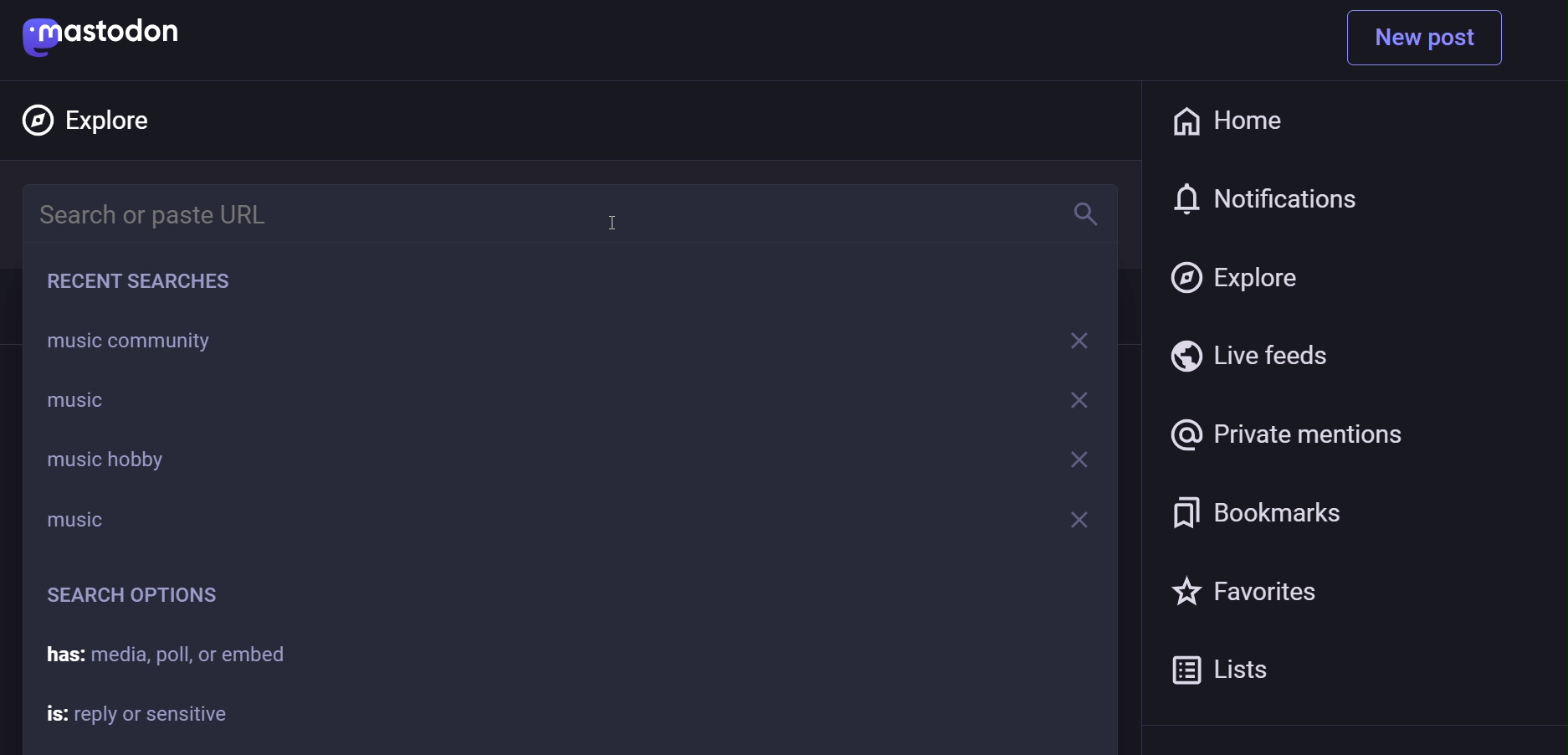 The image size is (1568, 755). What do you see at coordinates (1237, 275) in the screenshot?
I see `explore` at bounding box center [1237, 275].